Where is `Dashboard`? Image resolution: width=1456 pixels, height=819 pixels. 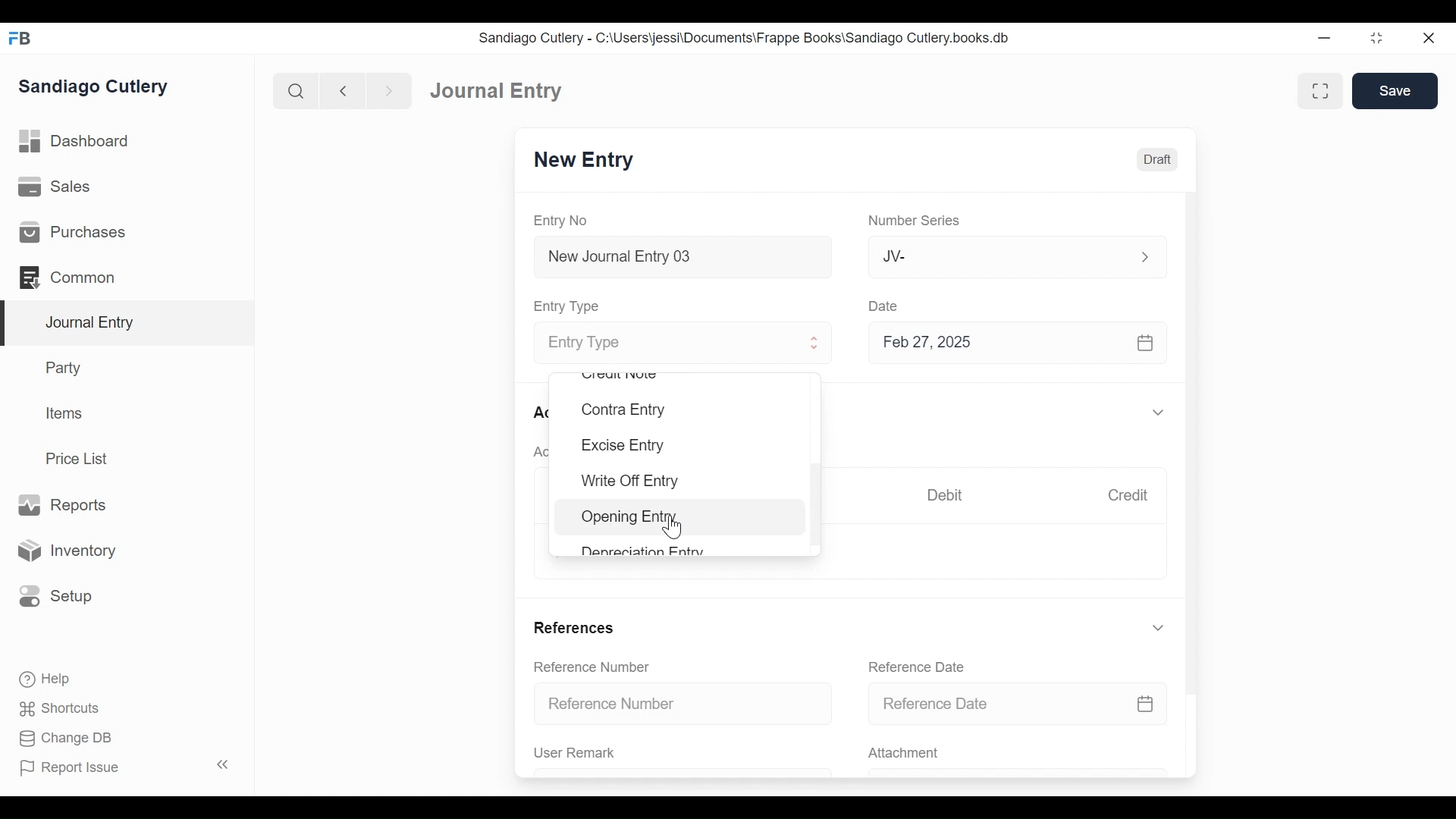
Dashboard is located at coordinates (75, 142).